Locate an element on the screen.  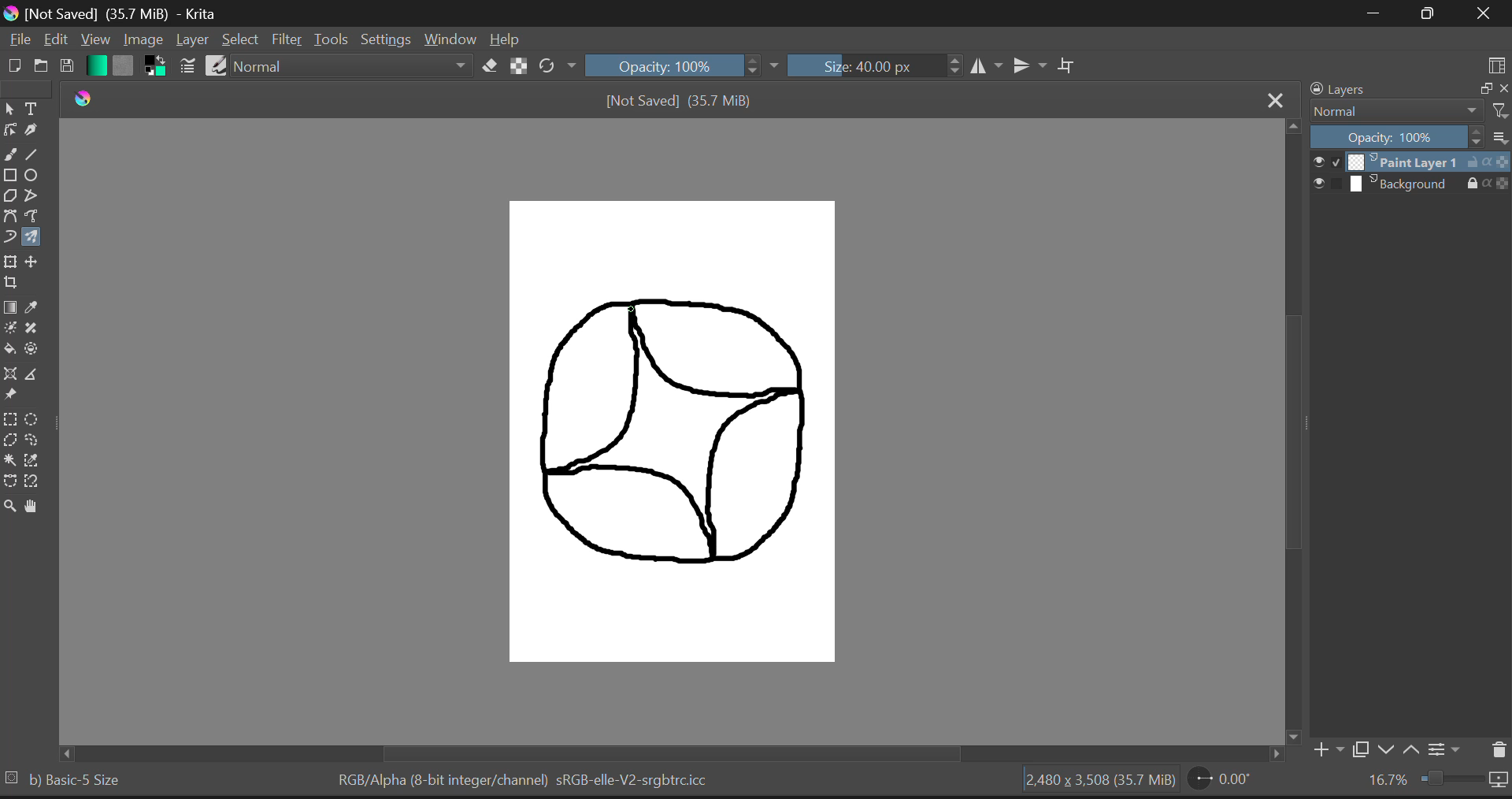
0.00 is located at coordinates (1222, 782).